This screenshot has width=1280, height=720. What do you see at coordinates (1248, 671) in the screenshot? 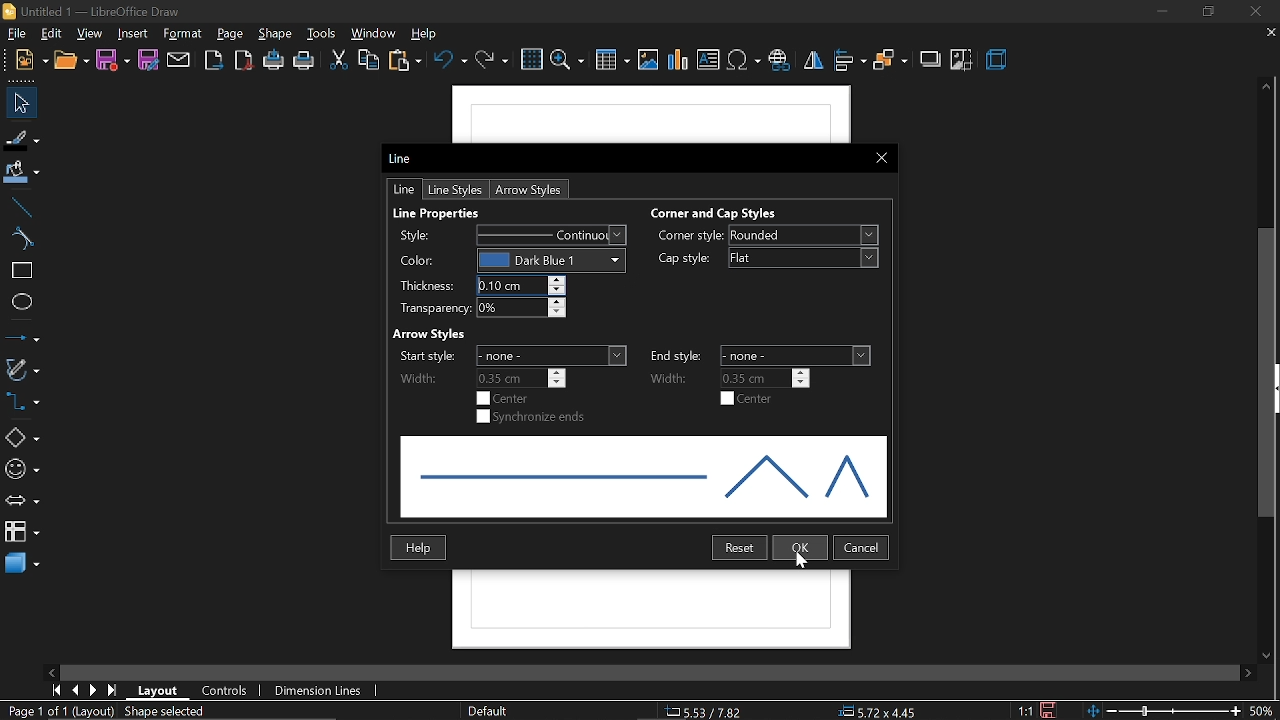
I see `move right` at bounding box center [1248, 671].